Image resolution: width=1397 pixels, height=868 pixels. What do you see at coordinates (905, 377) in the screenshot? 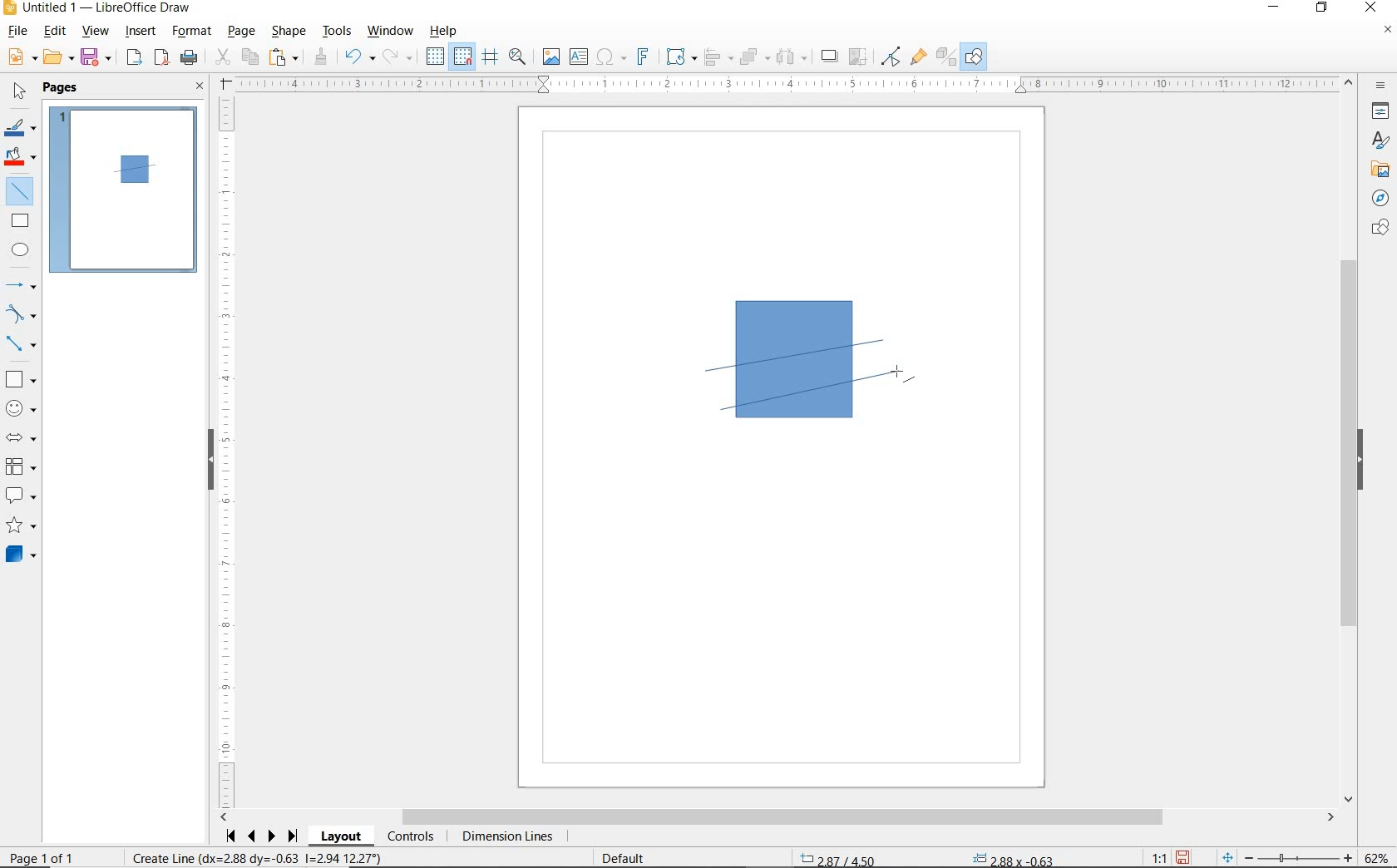
I see `LINE TOOL AT DRAG` at bounding box center [905, 377].